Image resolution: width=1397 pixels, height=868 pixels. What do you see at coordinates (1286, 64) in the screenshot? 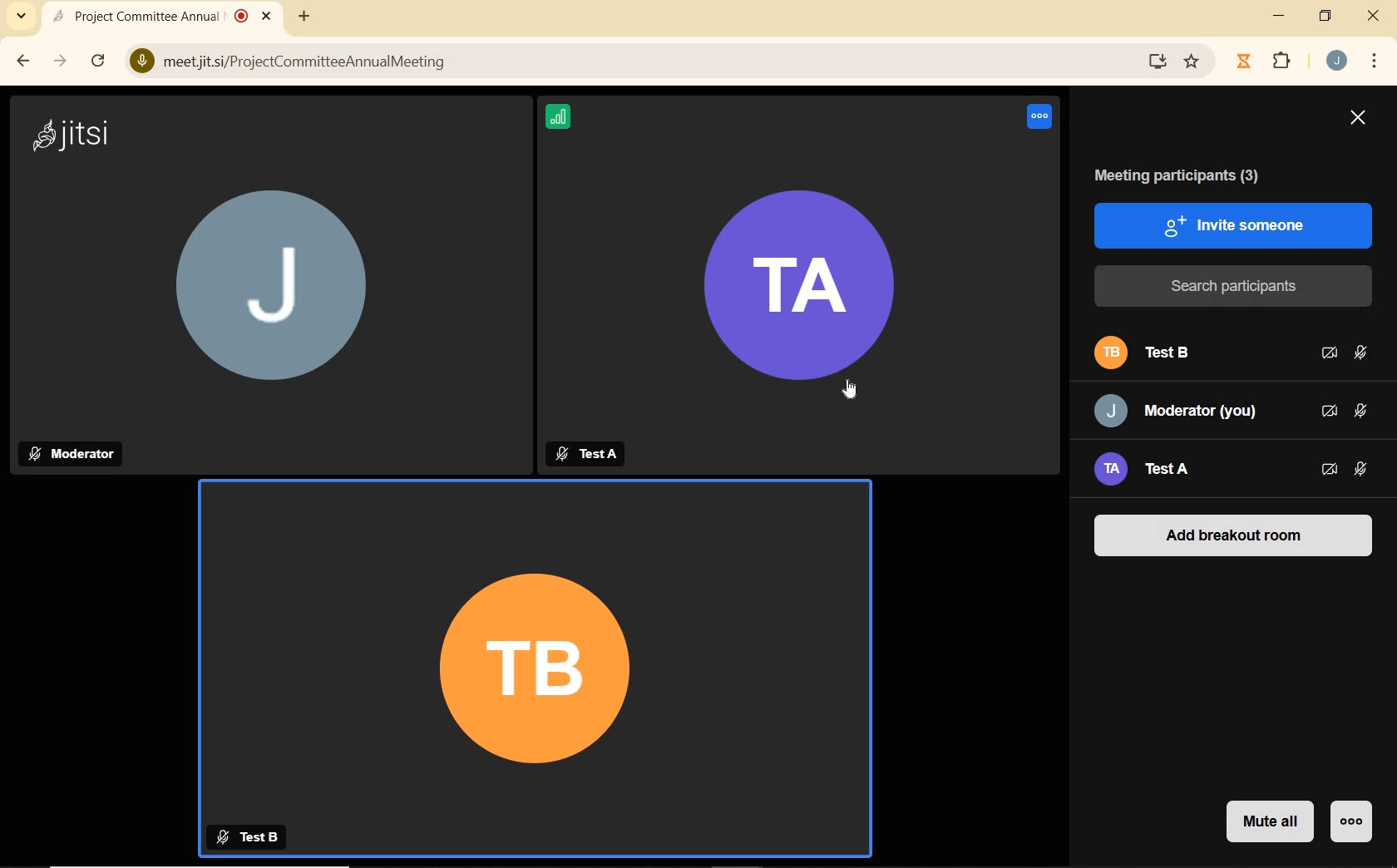
I see `EXTENSIONS` at bounding box center [1286, 64].